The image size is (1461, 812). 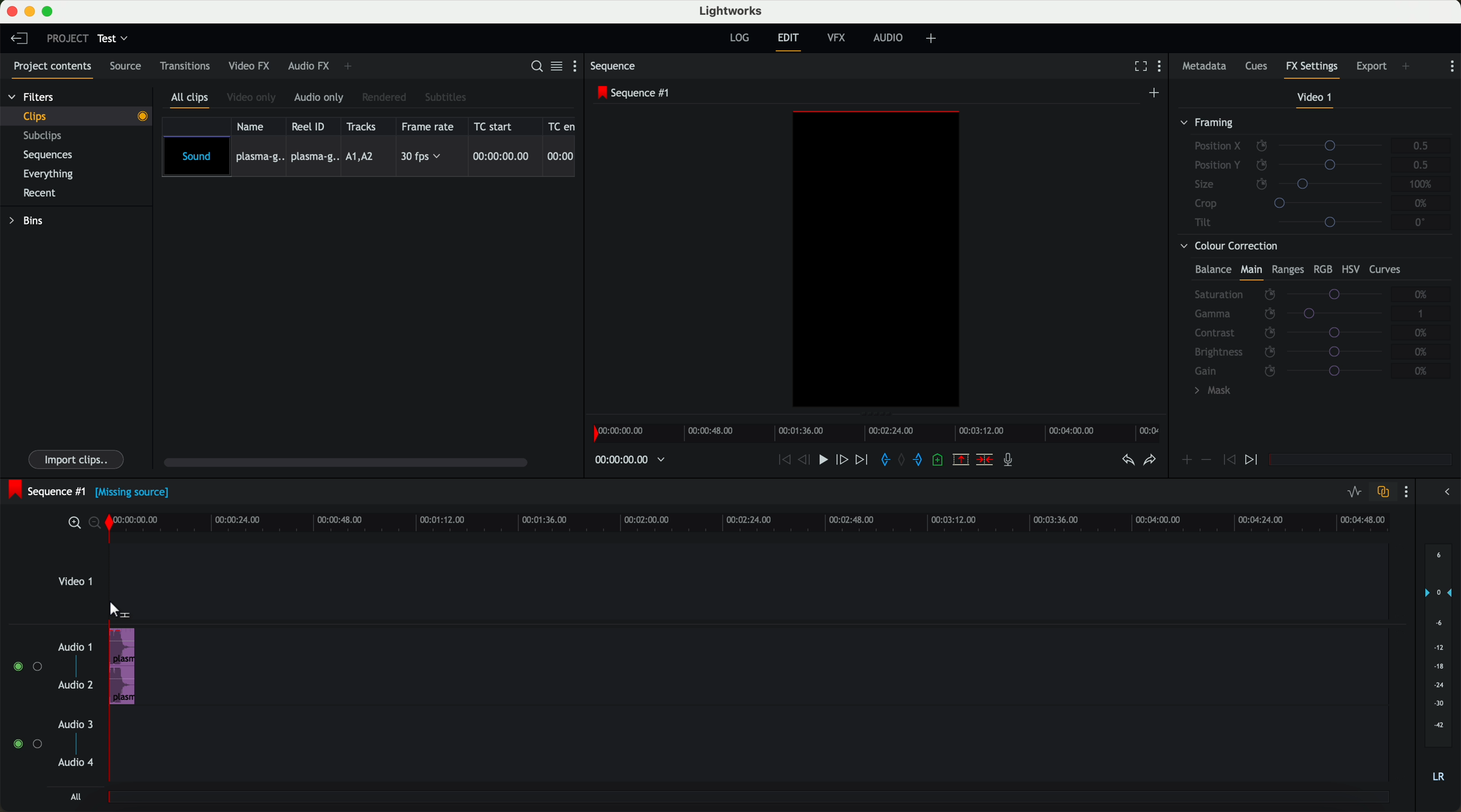 What do you see at coordinates (839, 40) in the screenshot?
I see `VFX` at bounding box center [839, 40].